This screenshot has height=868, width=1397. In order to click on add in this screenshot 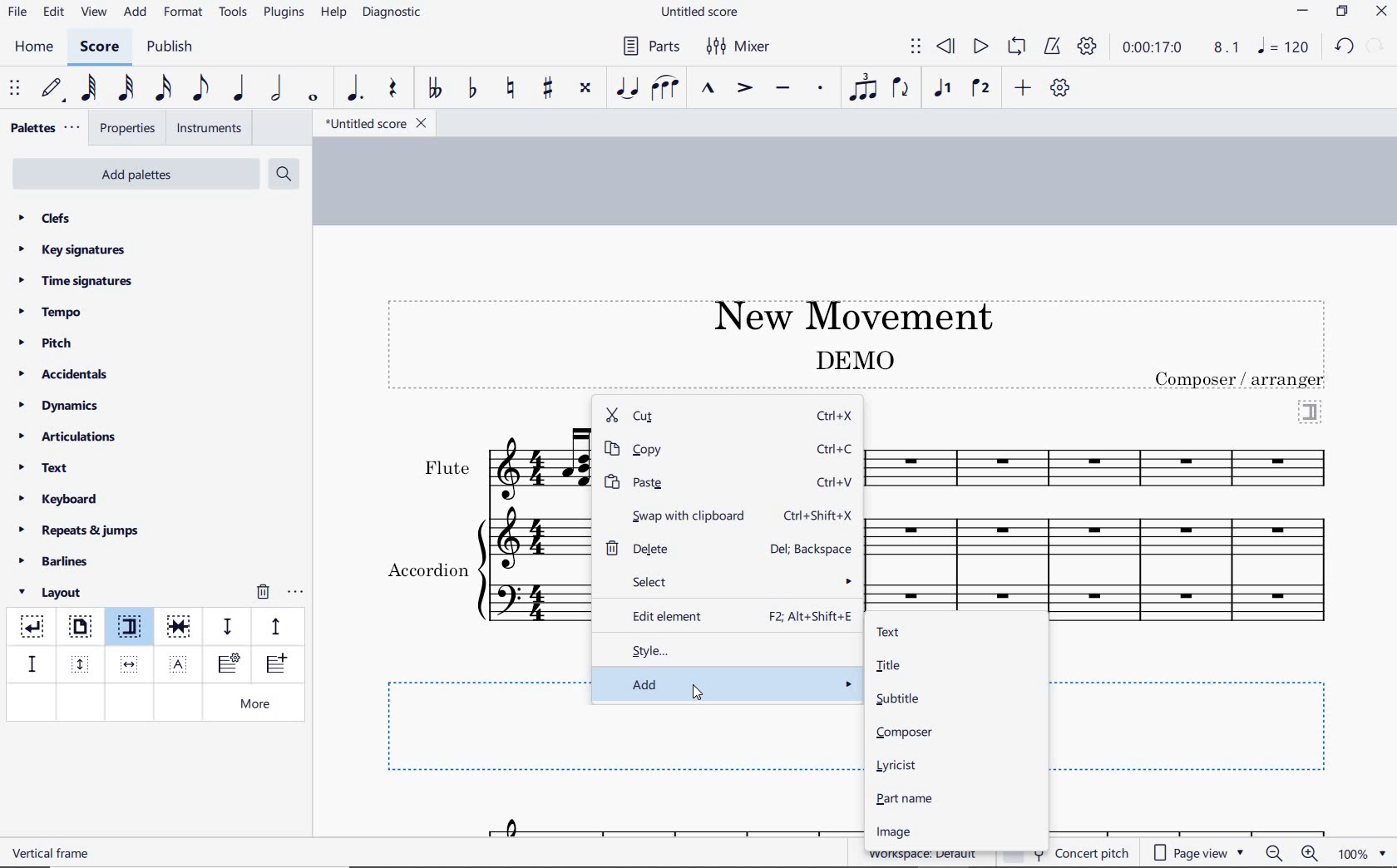, I will do `click(728, 683)`.